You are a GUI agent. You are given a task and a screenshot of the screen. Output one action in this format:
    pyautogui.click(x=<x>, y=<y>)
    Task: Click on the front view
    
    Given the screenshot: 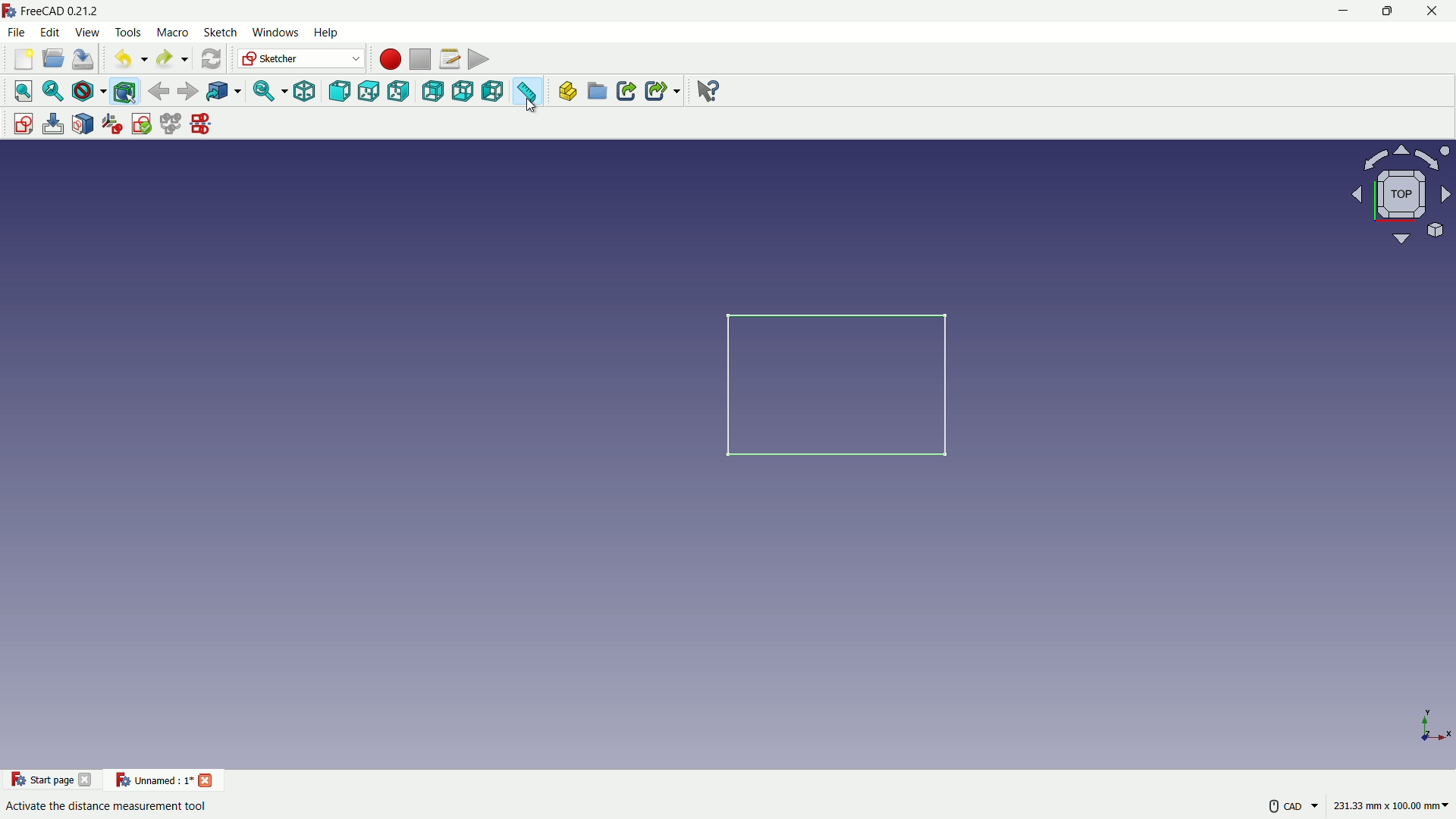 What is the action you would take?
    pyautogui.click(x=338, y=91)
    